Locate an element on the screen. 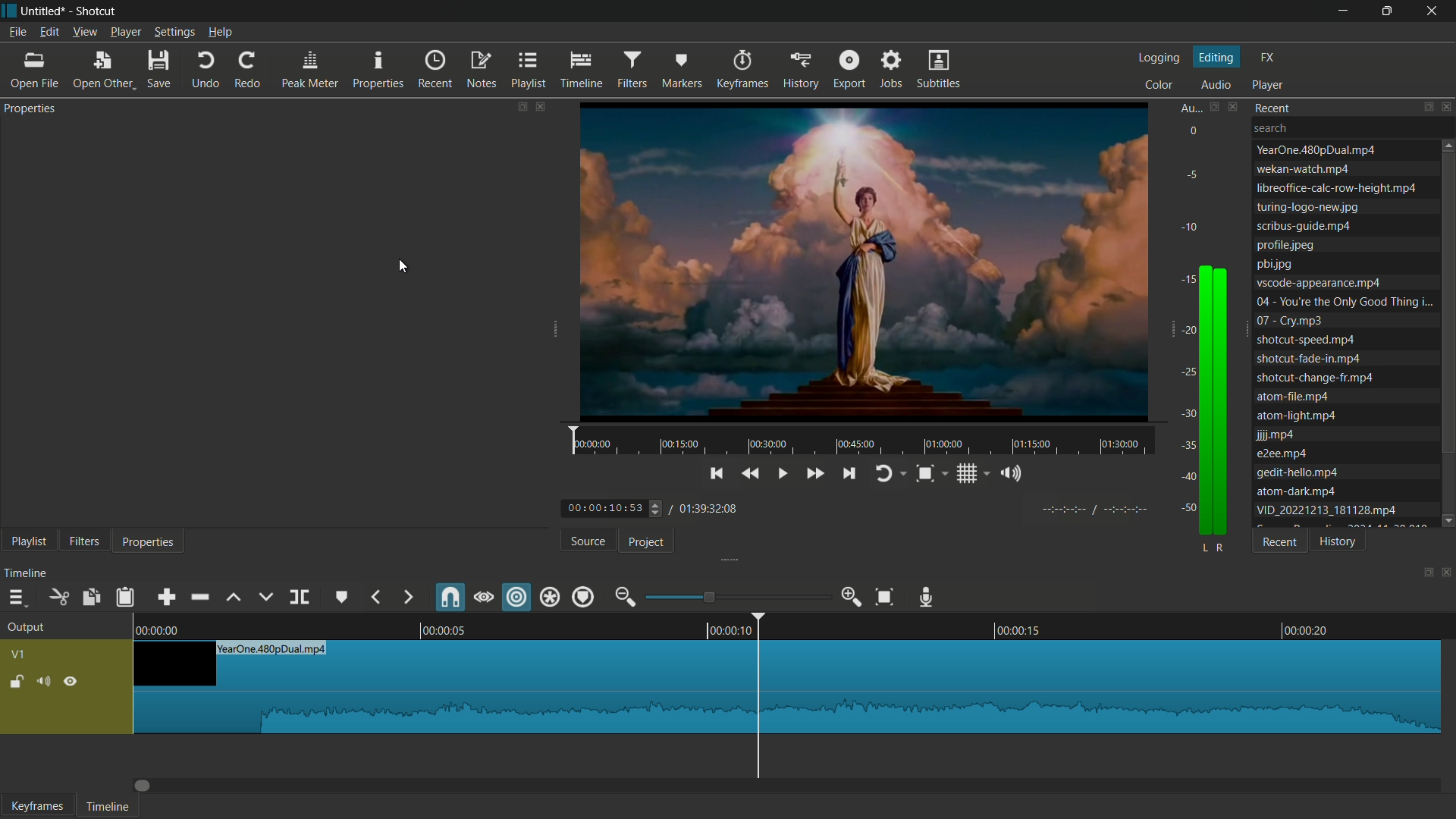 The height and width of the screenshot is (819, 1456). scrub while dragging is located at coordinates (483, 598).